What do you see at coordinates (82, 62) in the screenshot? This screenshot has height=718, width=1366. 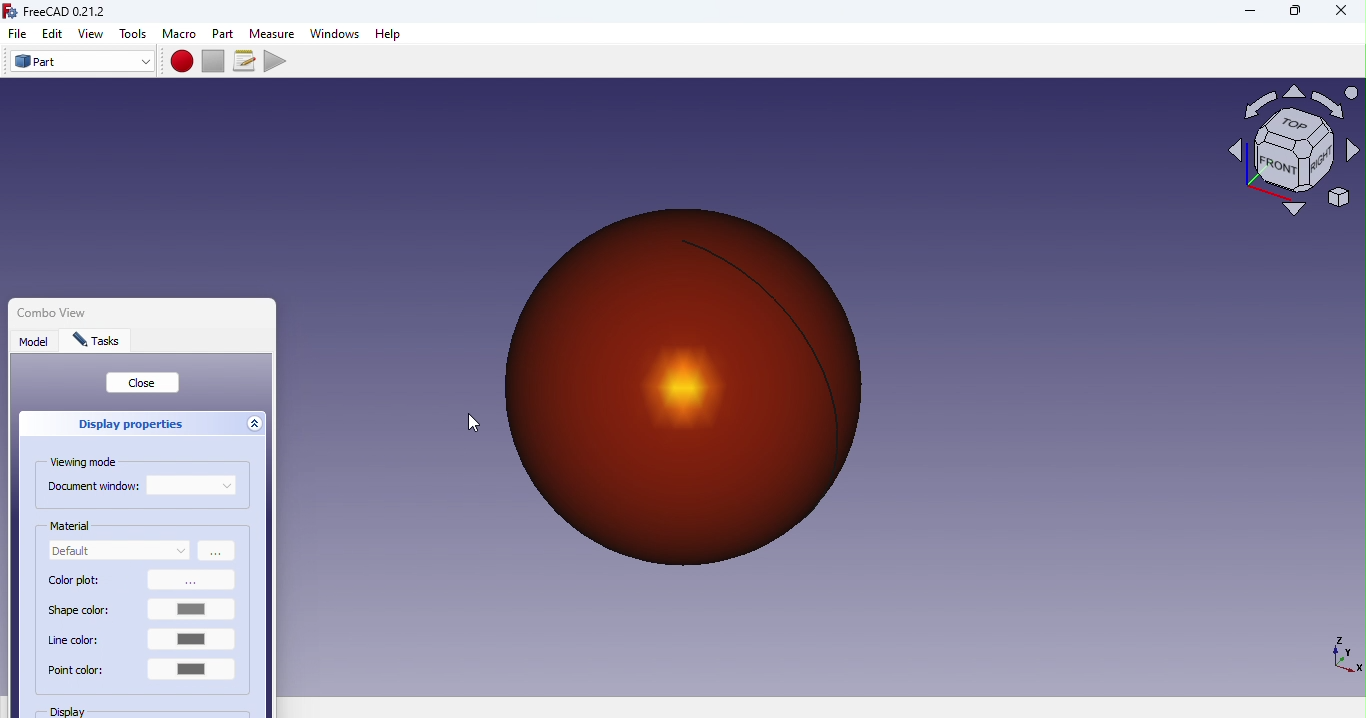 I see `Part` at bounding box center [82, 62].